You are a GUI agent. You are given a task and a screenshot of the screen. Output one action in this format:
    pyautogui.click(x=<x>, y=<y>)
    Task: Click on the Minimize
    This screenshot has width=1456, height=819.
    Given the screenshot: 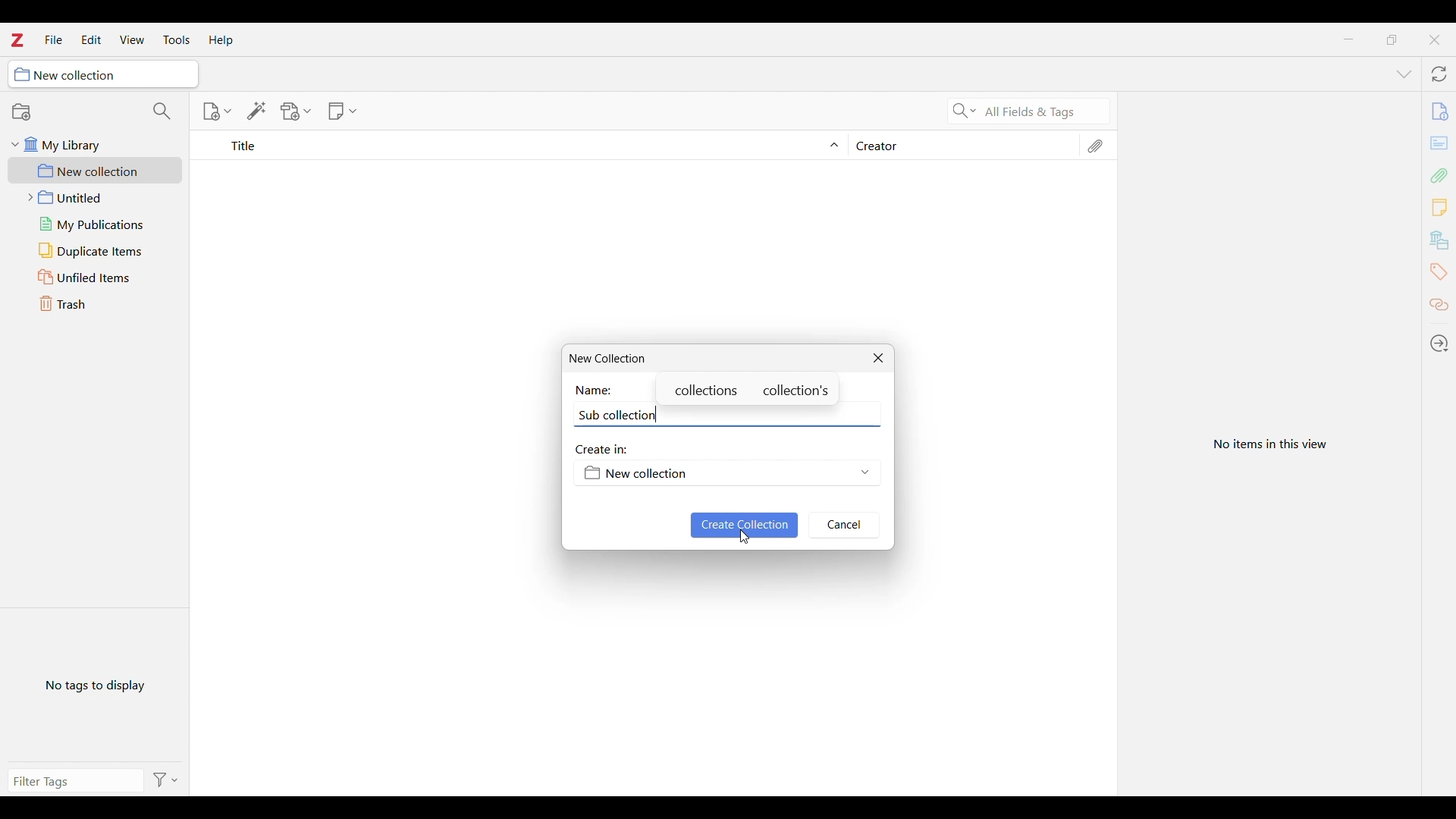 What is the action you would take?
    pyautogui.click(x=1348, y=39)
    